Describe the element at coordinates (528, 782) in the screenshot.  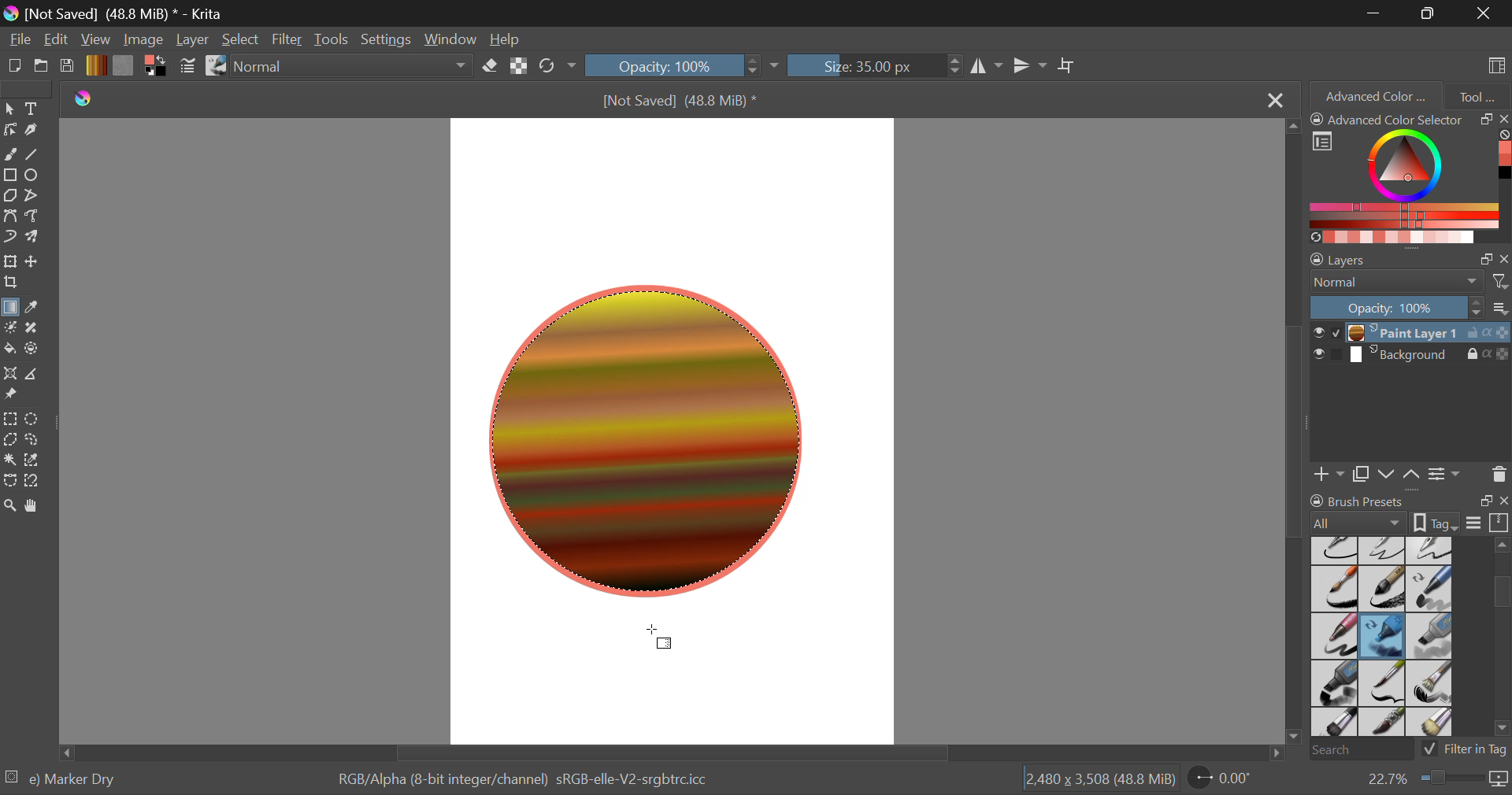
I see `Color Display Info` at that location.